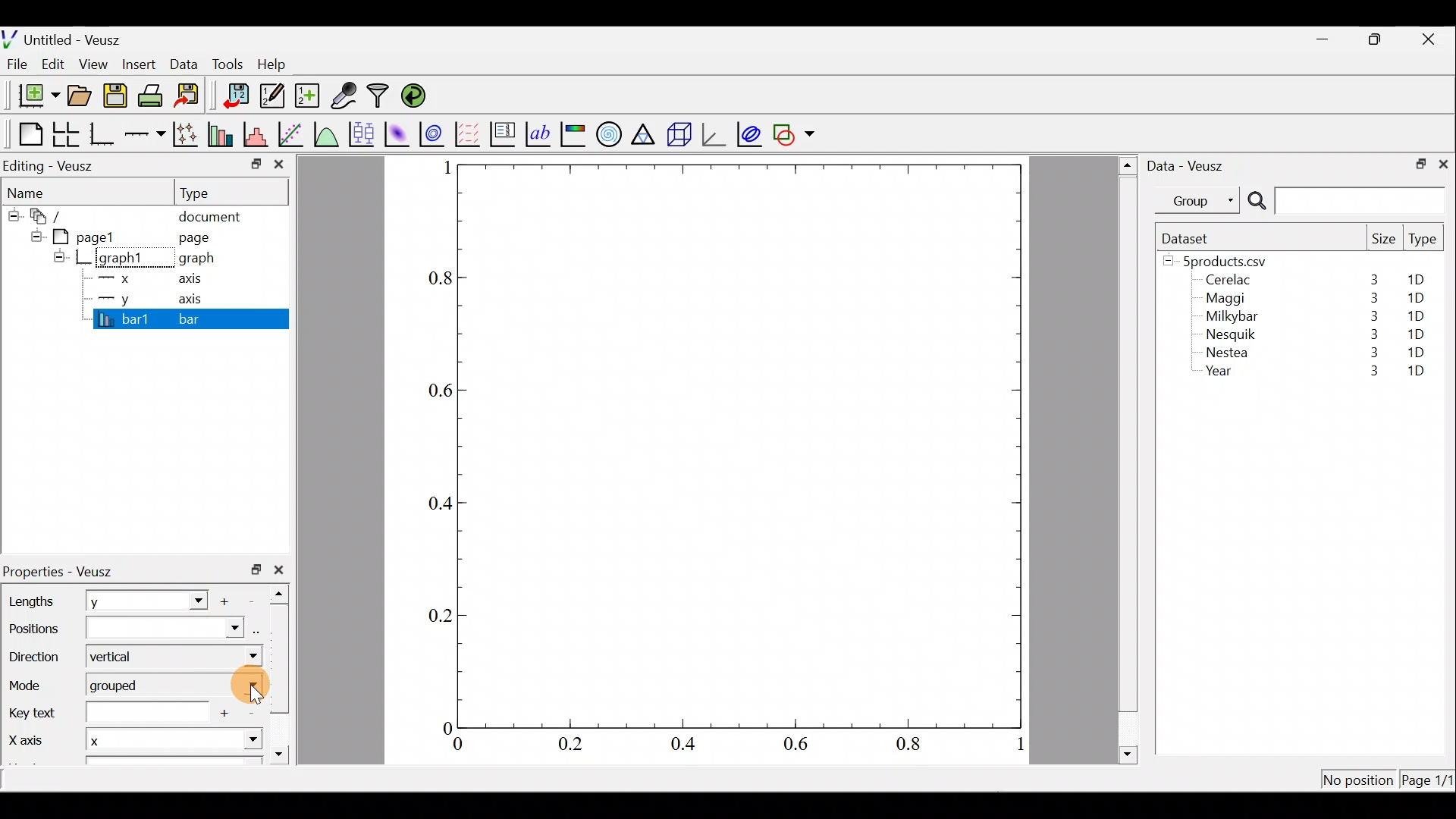 This screenshot has height=819, width=1456. Describe the element at coordinates (32, 682) in the screenshot. I see `Mode` at that location.